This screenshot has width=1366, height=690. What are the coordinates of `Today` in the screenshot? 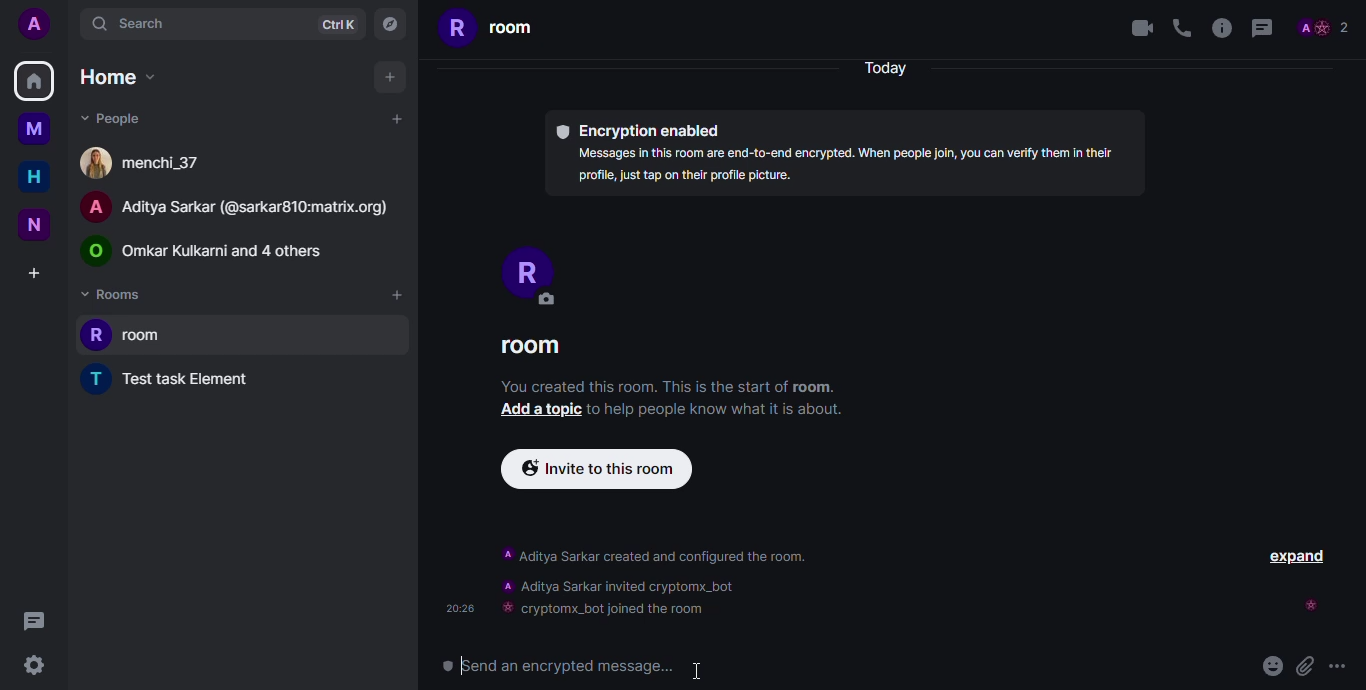 It's located at (891, 67).